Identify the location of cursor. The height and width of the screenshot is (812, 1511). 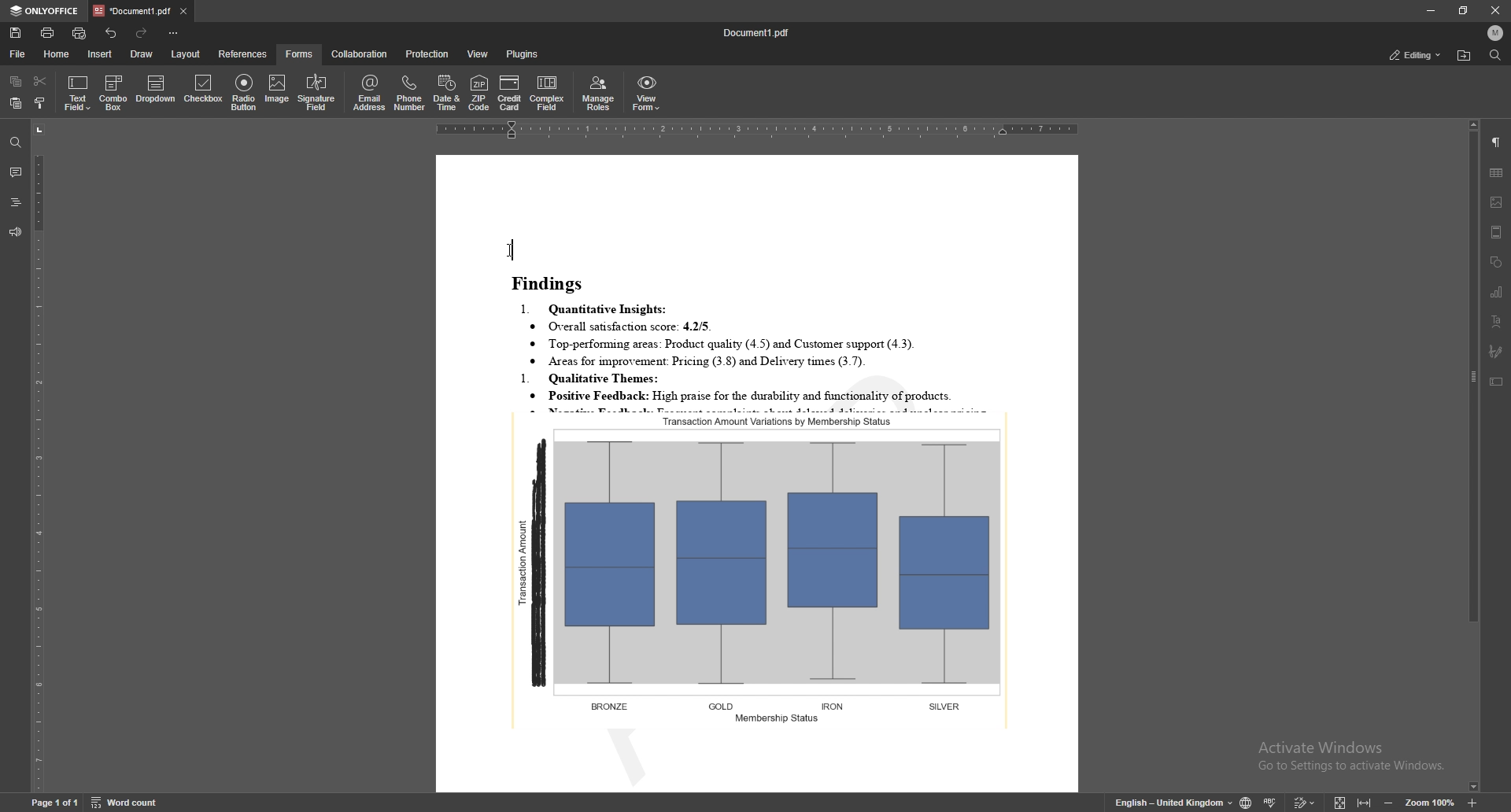
(511, 251).